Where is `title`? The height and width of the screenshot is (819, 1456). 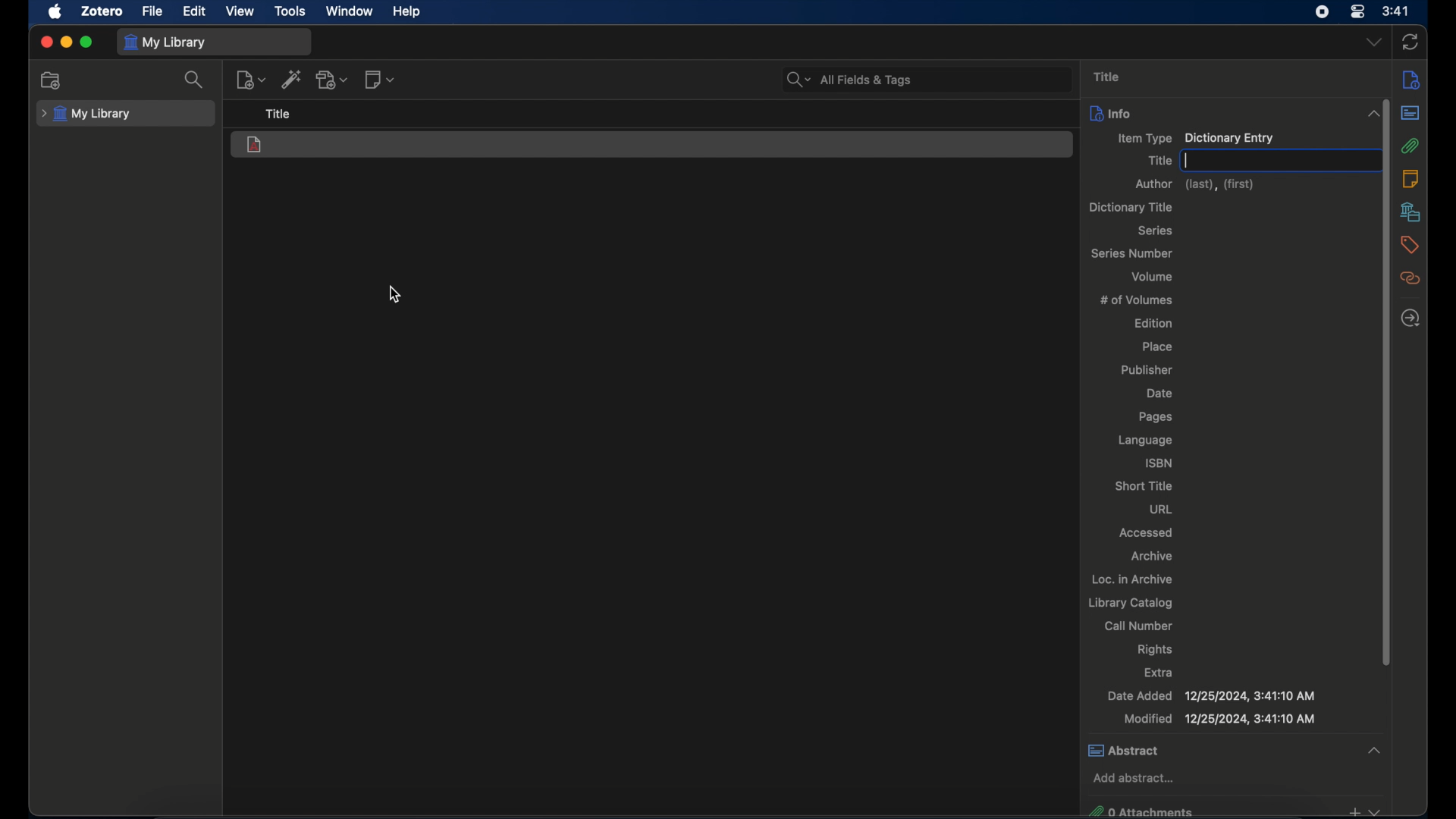 title is located at coordinates (279, 115).